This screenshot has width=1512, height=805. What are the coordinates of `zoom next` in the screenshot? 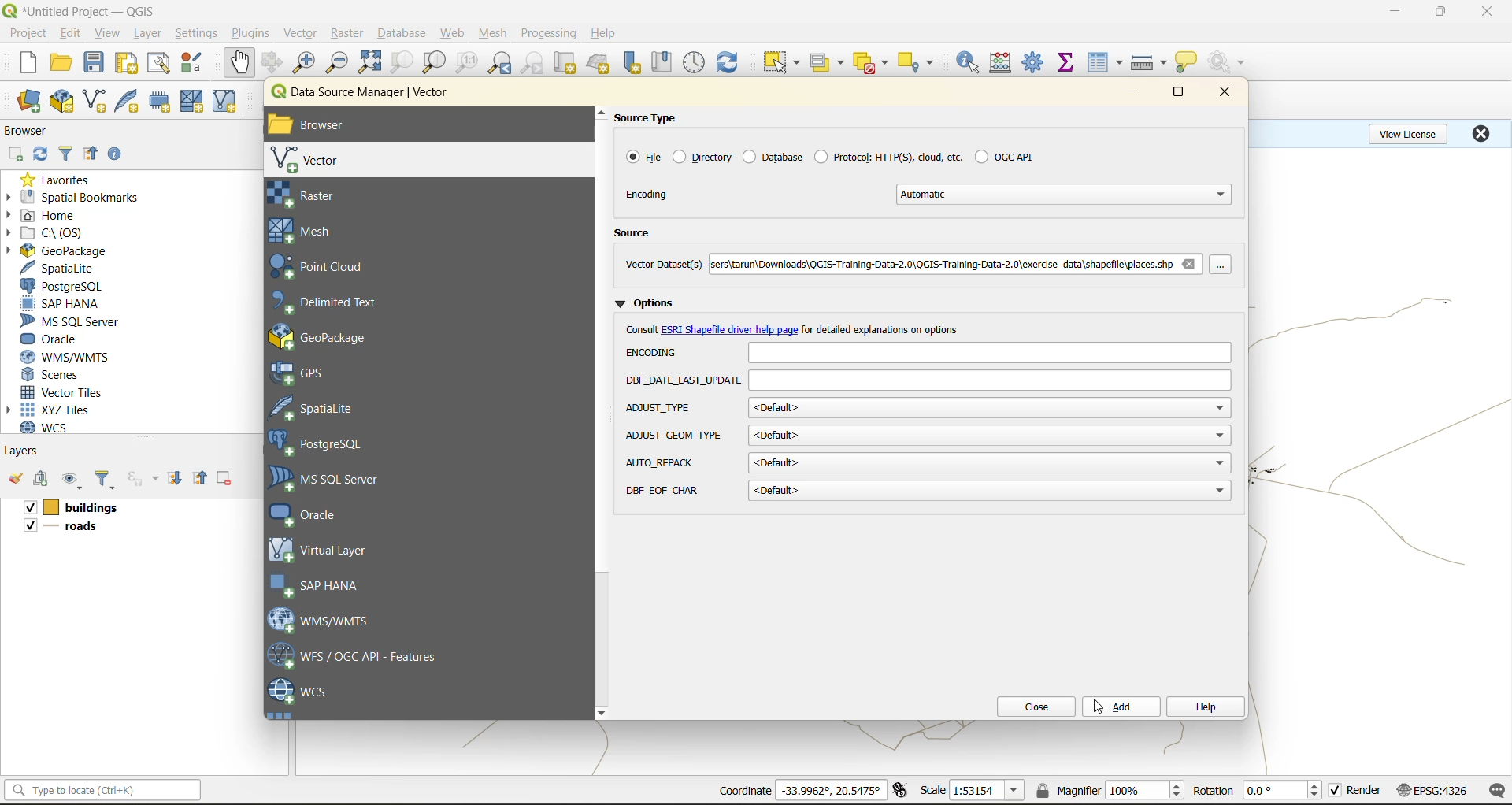 It's located at (535, 63).